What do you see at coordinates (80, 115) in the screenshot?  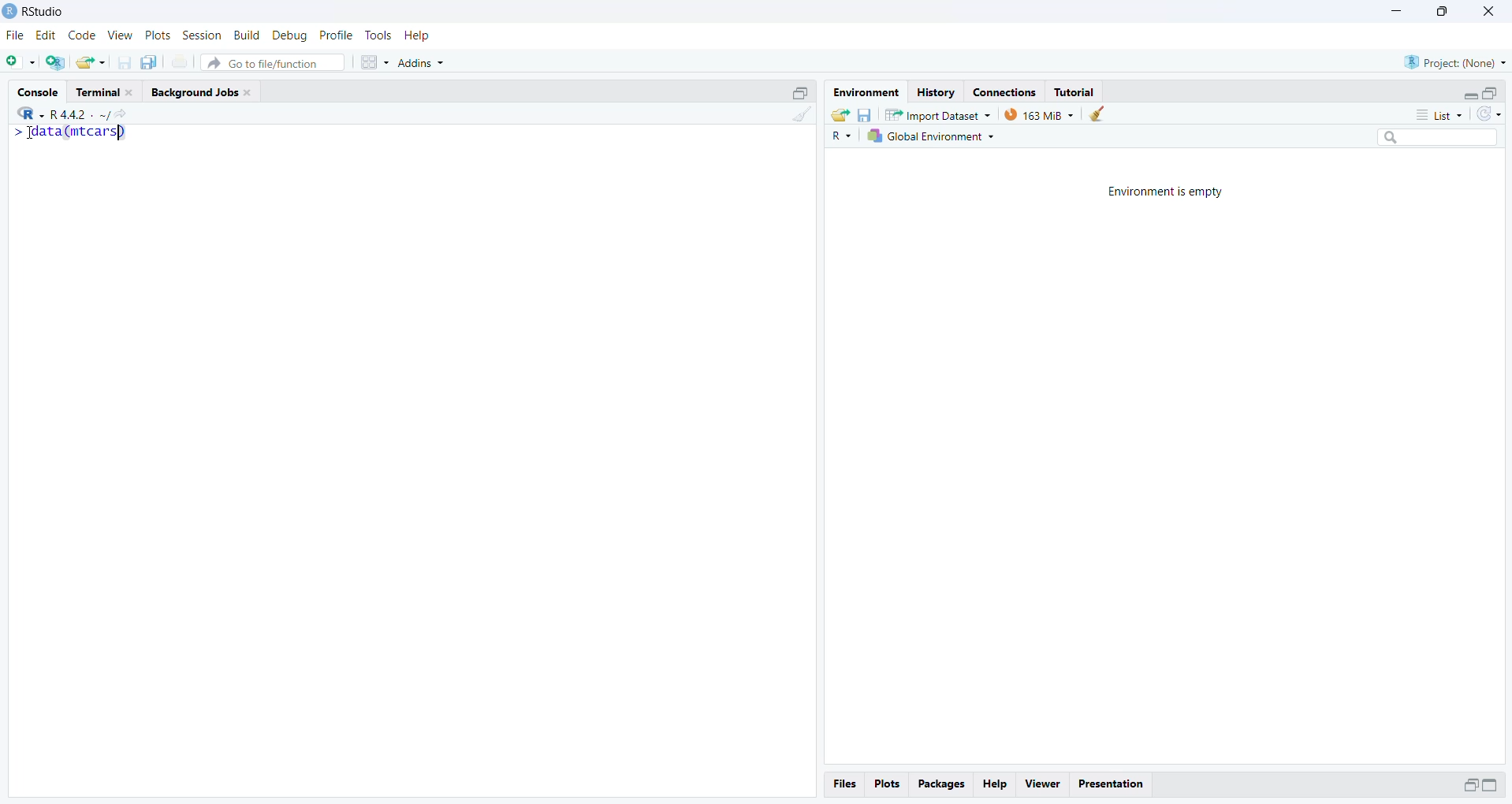 I see `R 4.4.2 ~/` at bounding box center [80, 115].